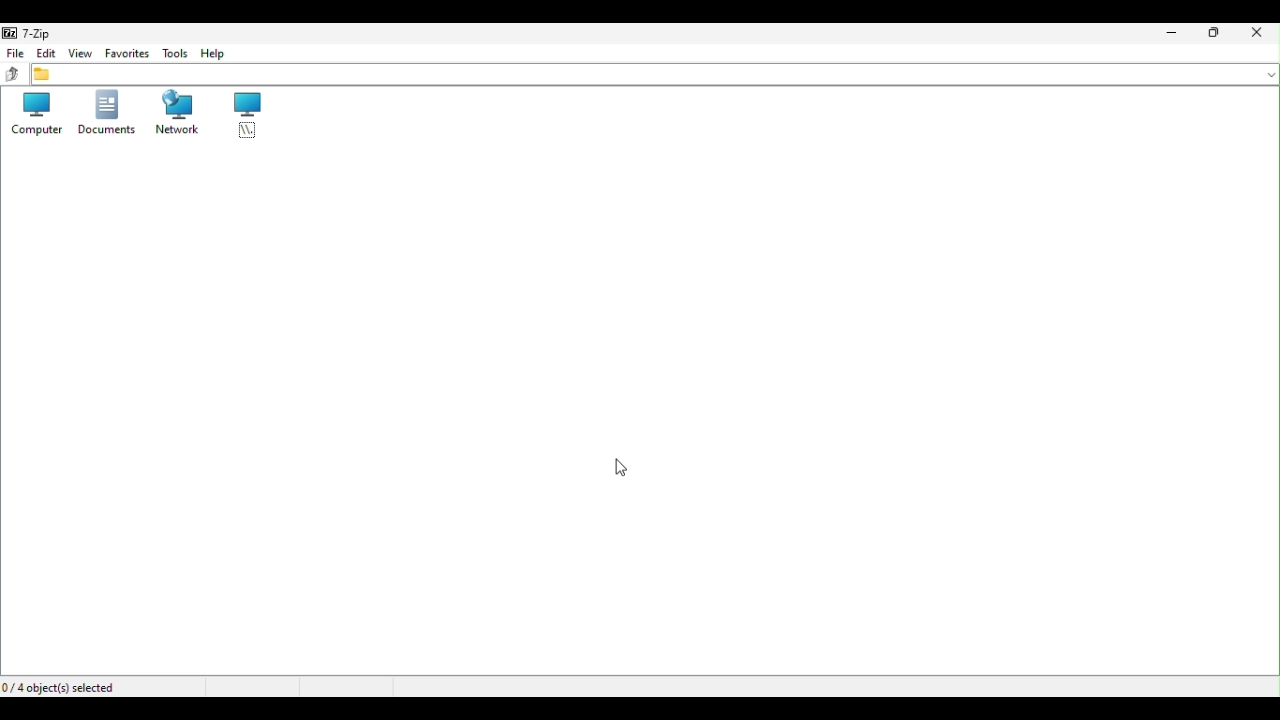 Image resolution: width=1280 pixels, height=720 pixels. Describe the element at coordinates (105, 115) in the screenshot. I see `Documents` at that location.